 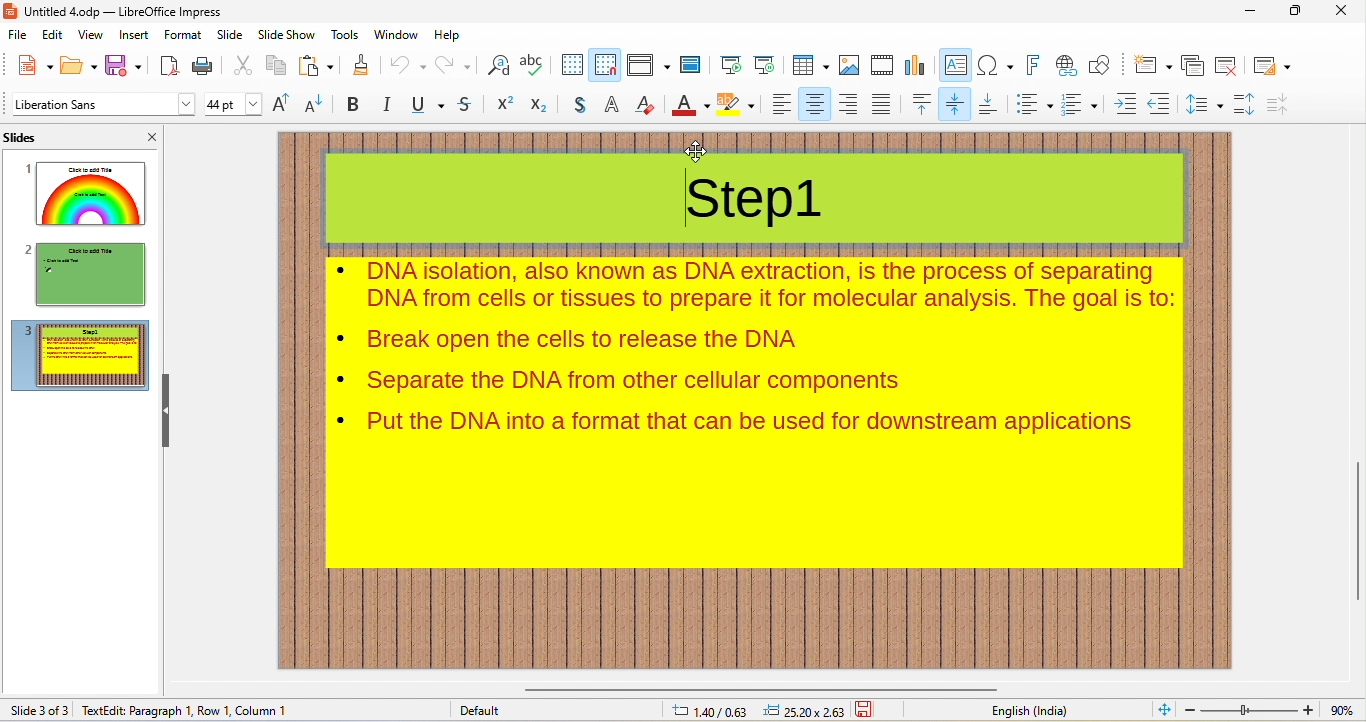 What do you see at coordinates (94, 36) in the screenshot?
I see `view` at bounding box center [94, 36].